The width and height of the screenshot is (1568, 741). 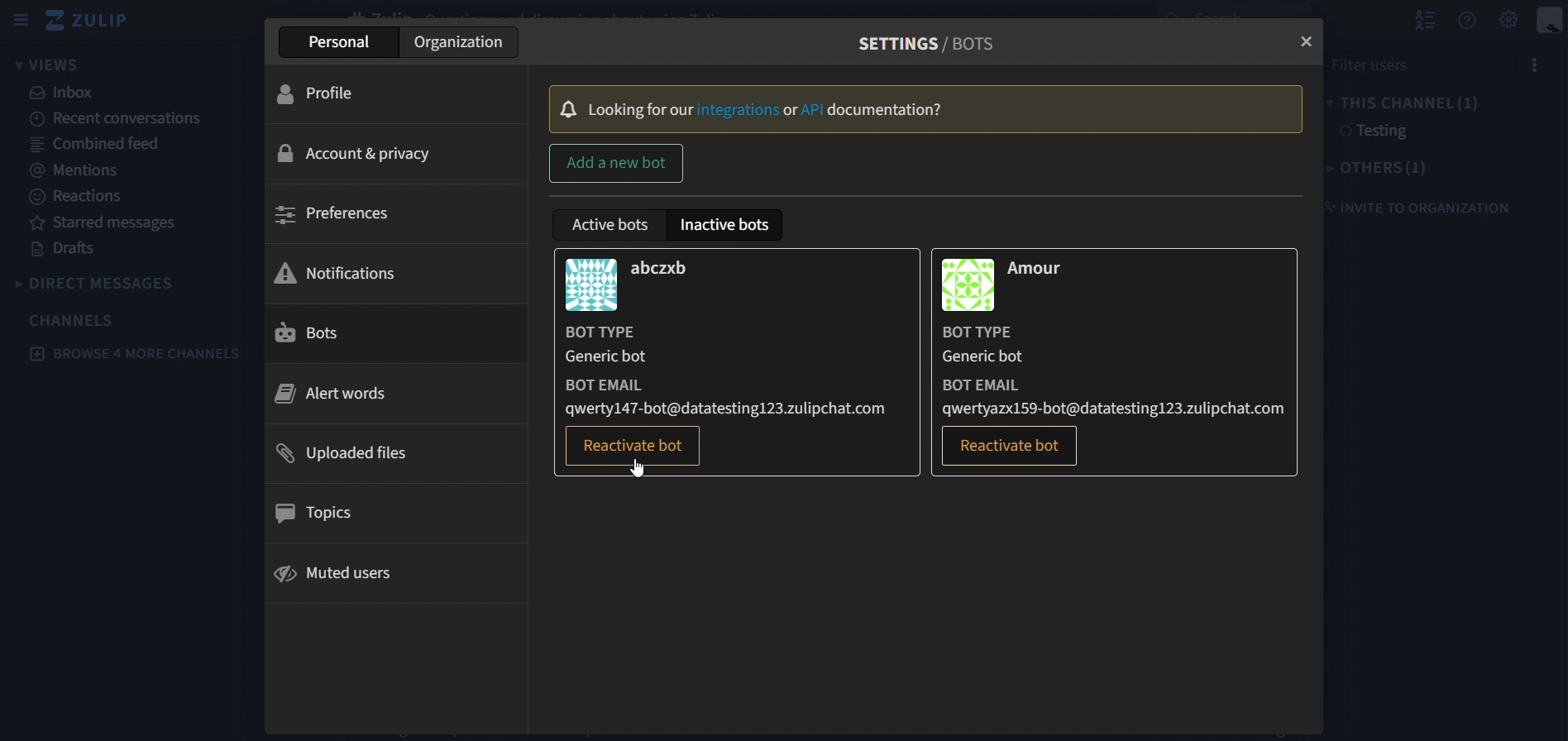 What do you see at coordinates (814, 110) in the screenshot?
I see `API` at bounding box center [814, 110].